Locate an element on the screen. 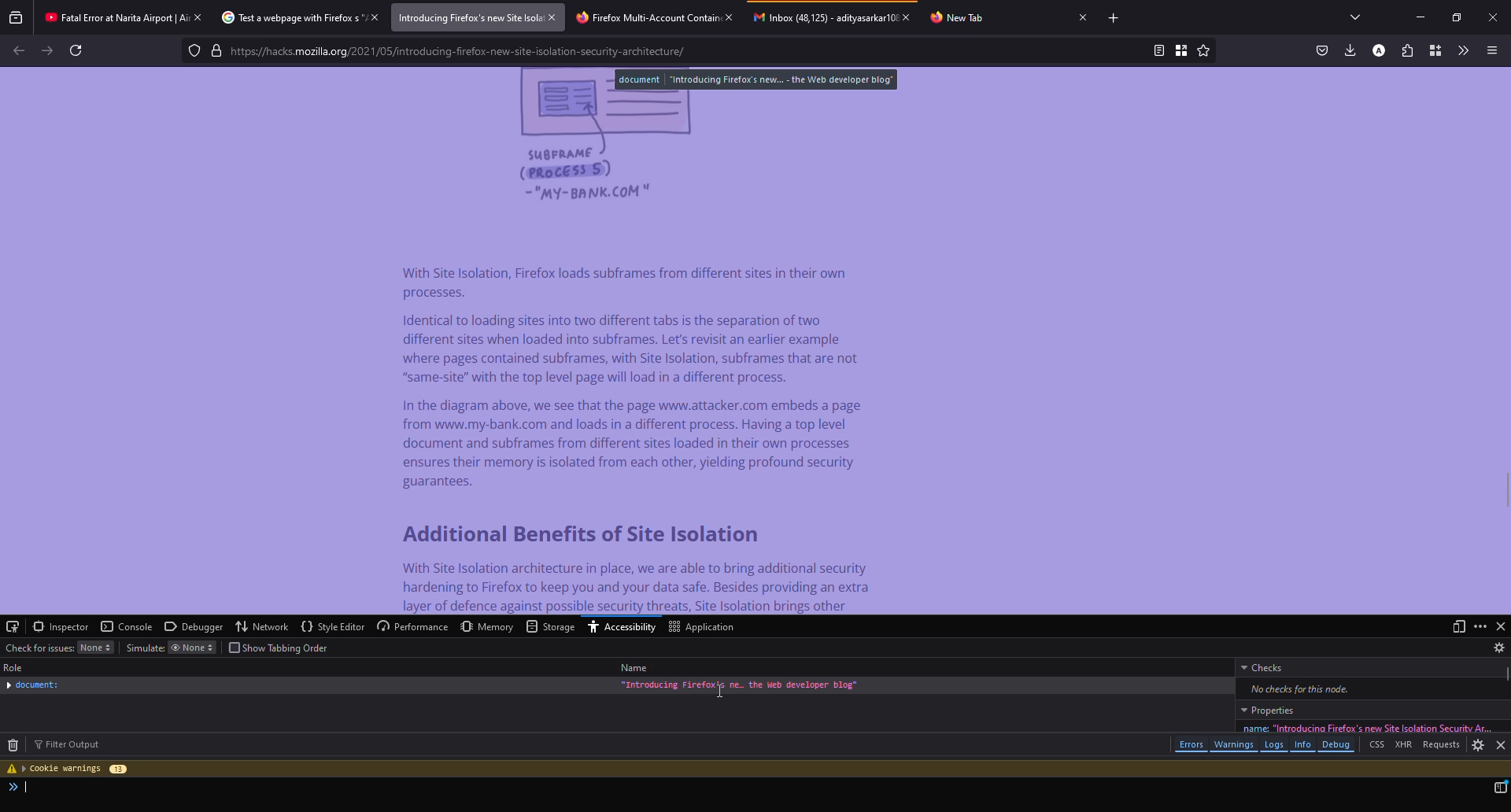 This screenshot has height=812, width=1511. view is located at coordinates (1457, 626).